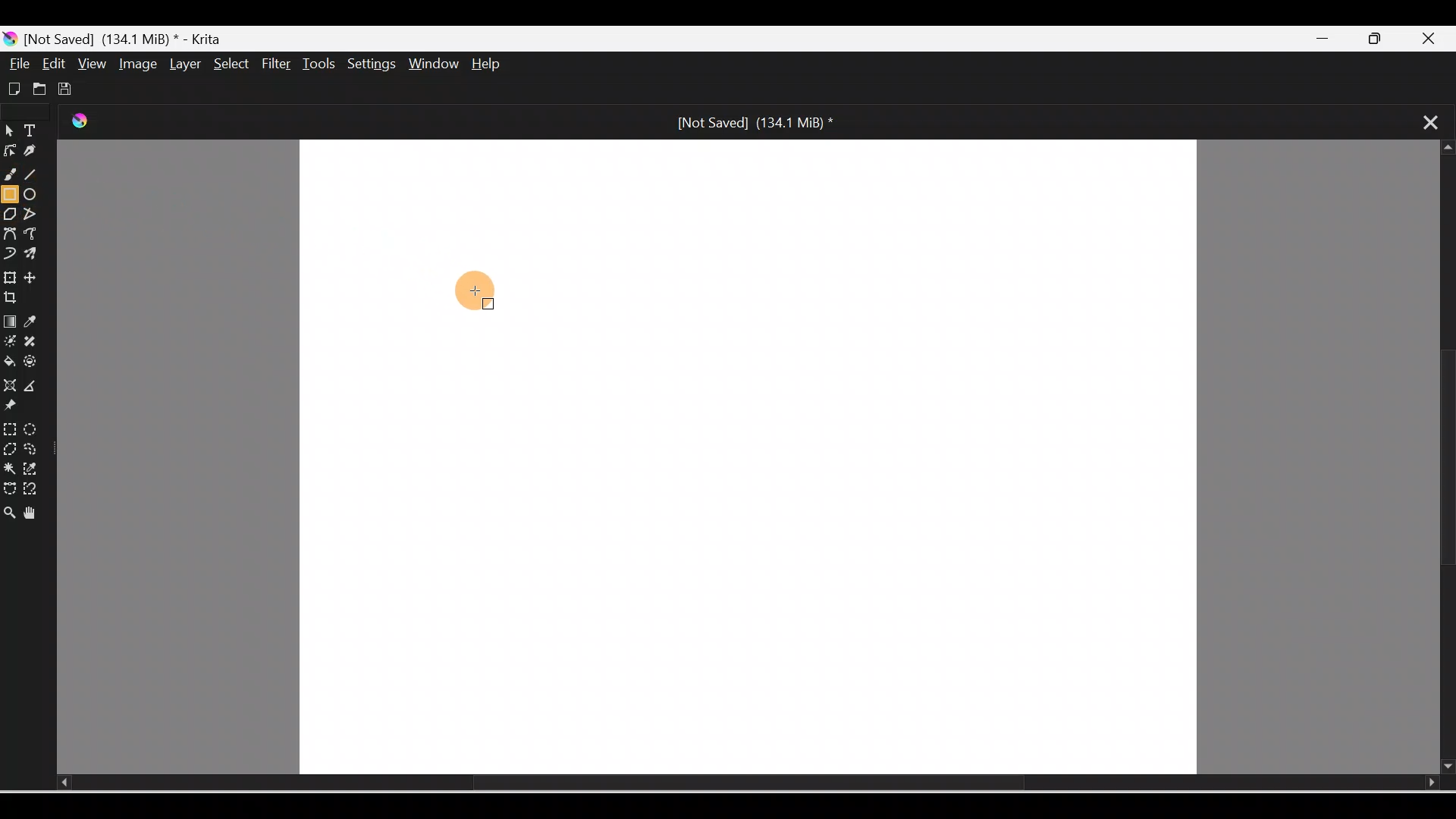  I want to click on Polygonal selection tool, so click(10, 447).